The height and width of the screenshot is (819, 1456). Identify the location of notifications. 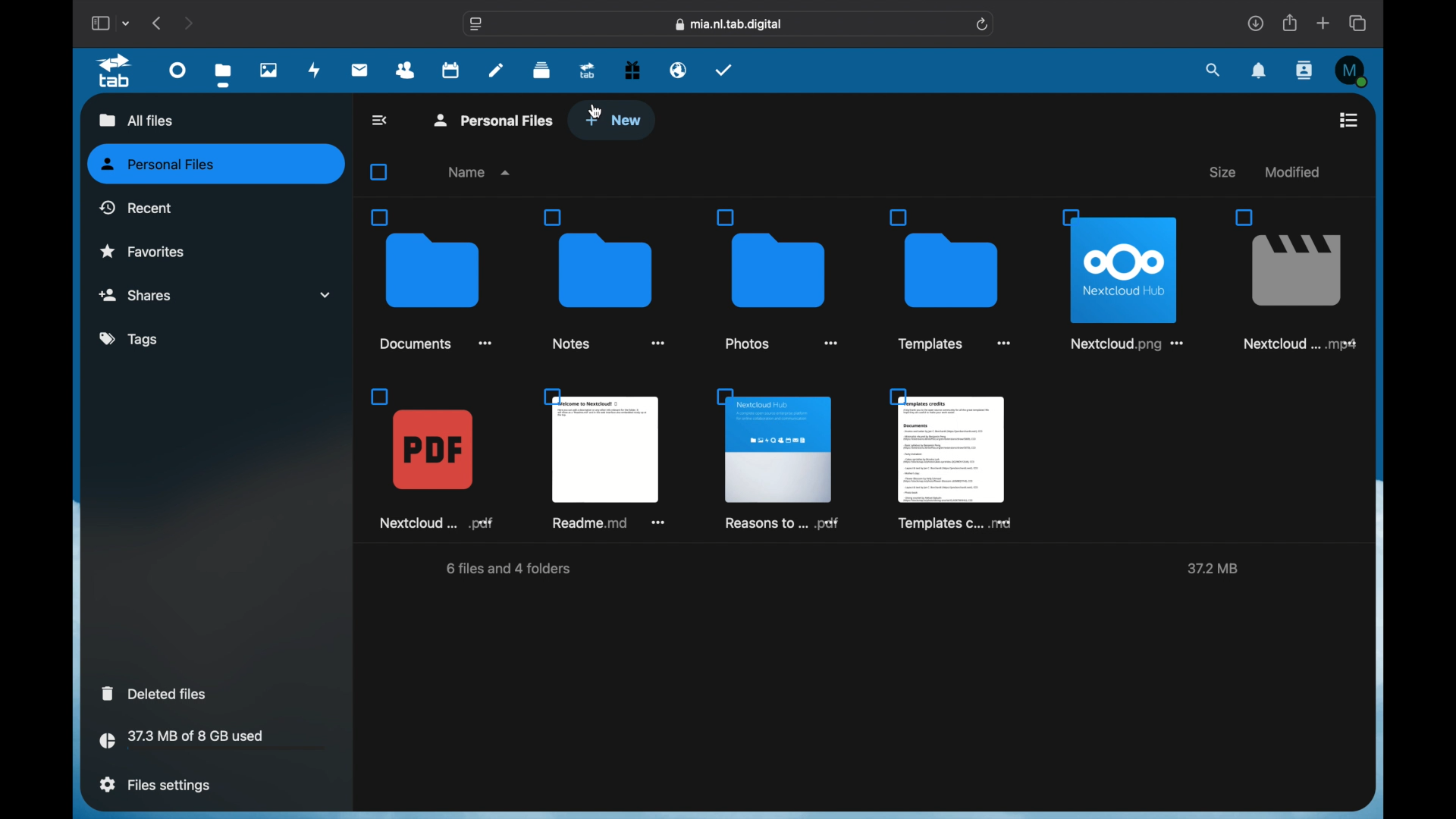
(1260, 71).